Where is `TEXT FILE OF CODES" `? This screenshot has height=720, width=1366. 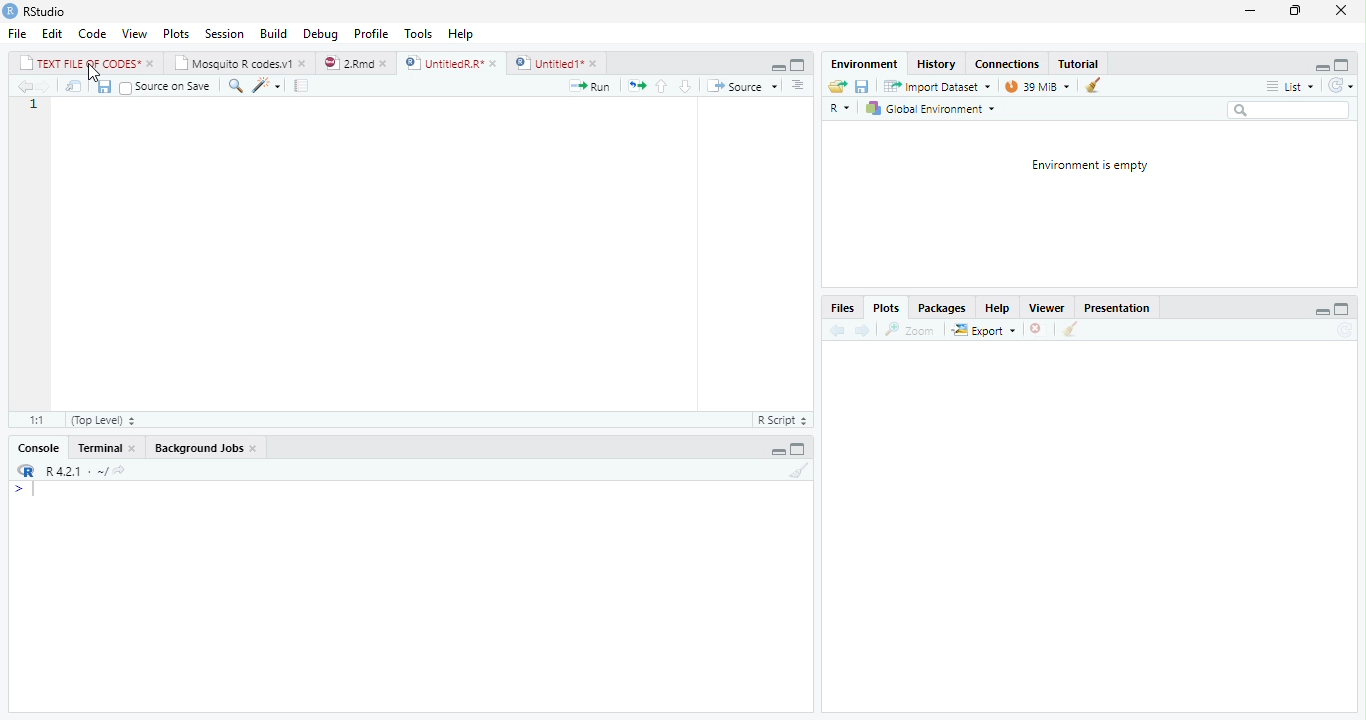 TEXT FILE OF CODES"  is located at coordinates (86, 63).